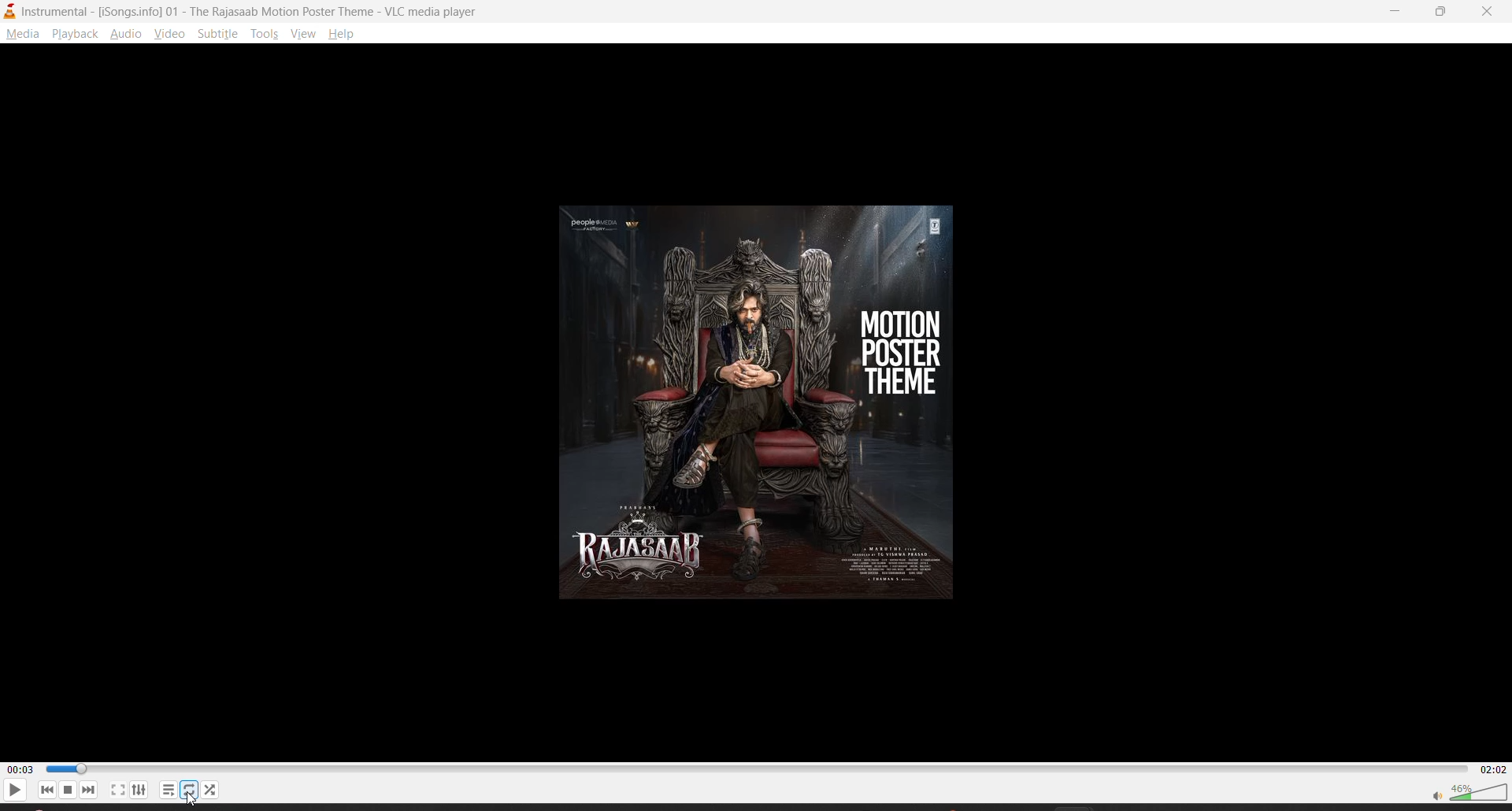 The width and height of the screenshot is (1512, 811). I want to click on playback, so click(73, 35).